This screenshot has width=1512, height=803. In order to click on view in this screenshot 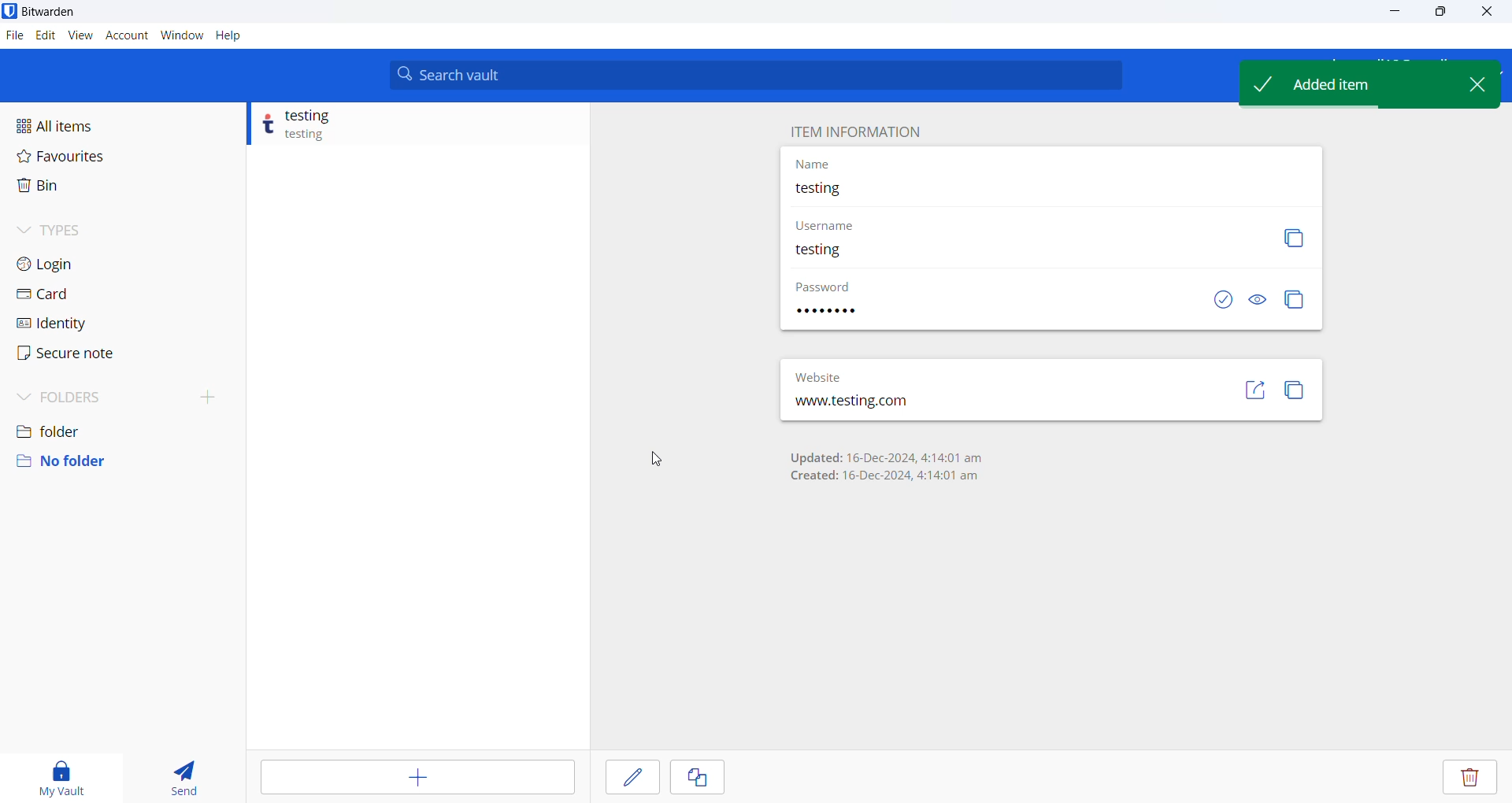, I will do `click(78, 36)`.